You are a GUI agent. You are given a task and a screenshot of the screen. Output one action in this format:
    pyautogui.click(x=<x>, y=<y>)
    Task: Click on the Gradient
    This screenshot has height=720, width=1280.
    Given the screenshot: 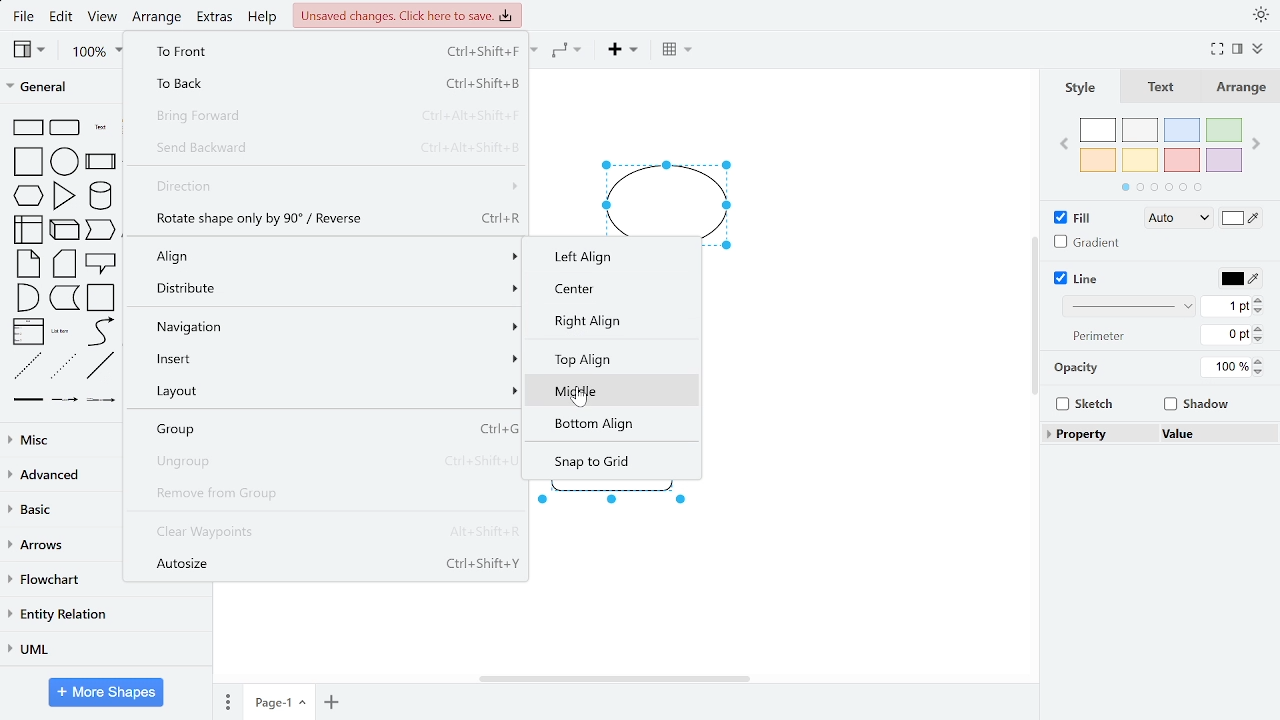 What is the action you would take?
    pyautogui.click(x=1083, y=241)
    